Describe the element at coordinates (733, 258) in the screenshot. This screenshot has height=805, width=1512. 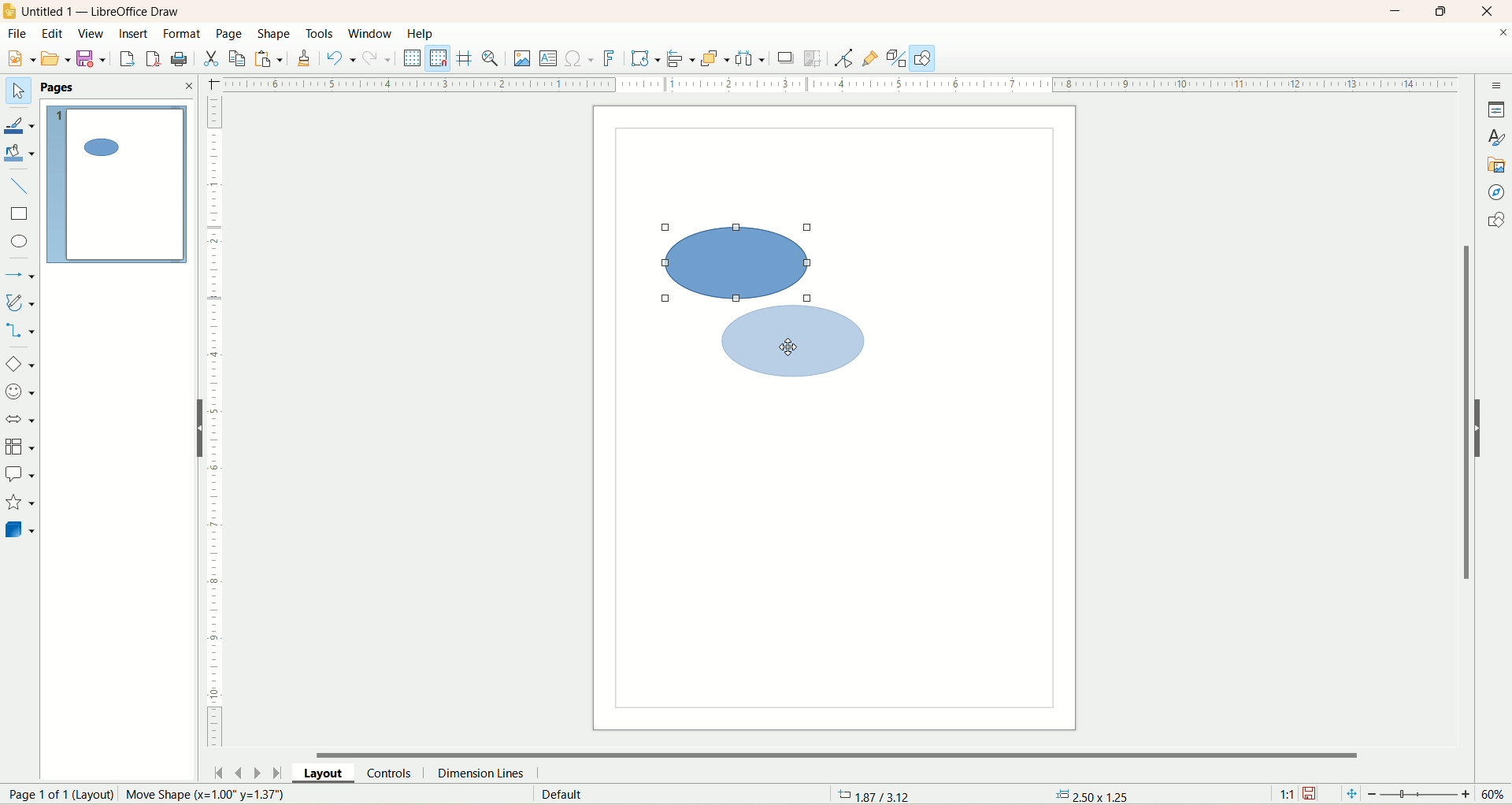
I see `shape selected` at that location.